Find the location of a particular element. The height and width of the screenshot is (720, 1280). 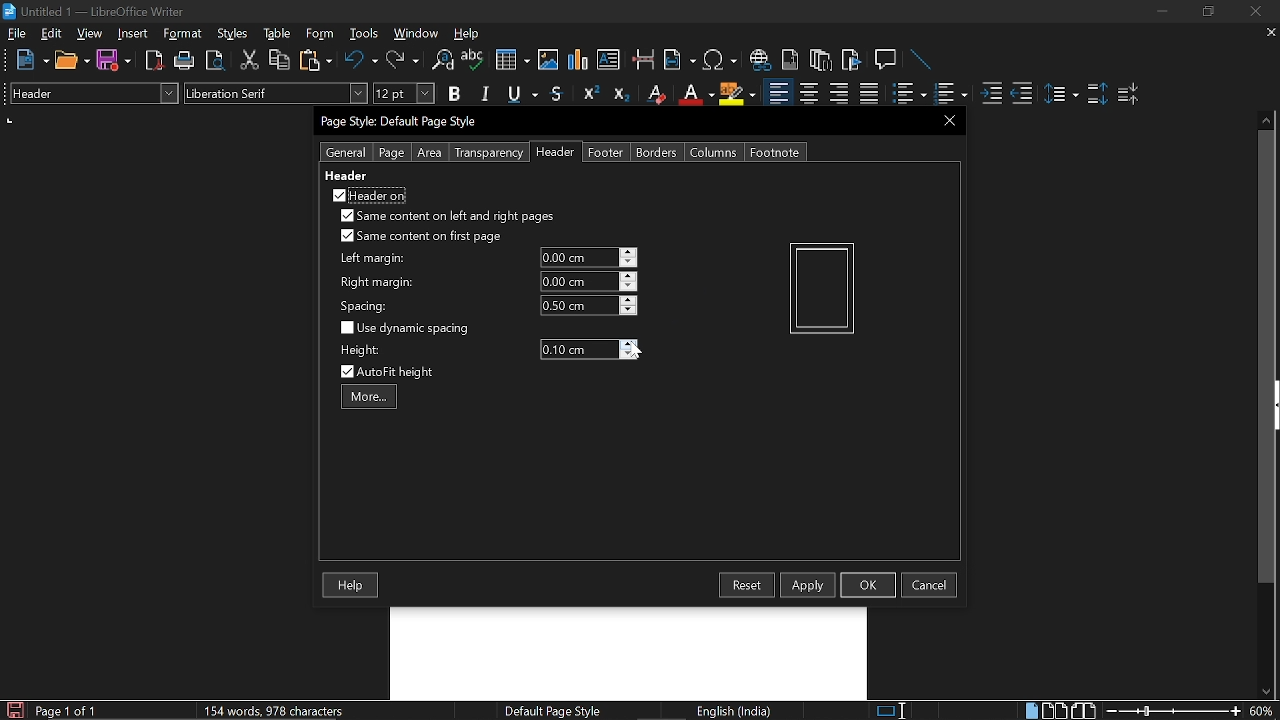

left margin is located at coordinates (370, 259).